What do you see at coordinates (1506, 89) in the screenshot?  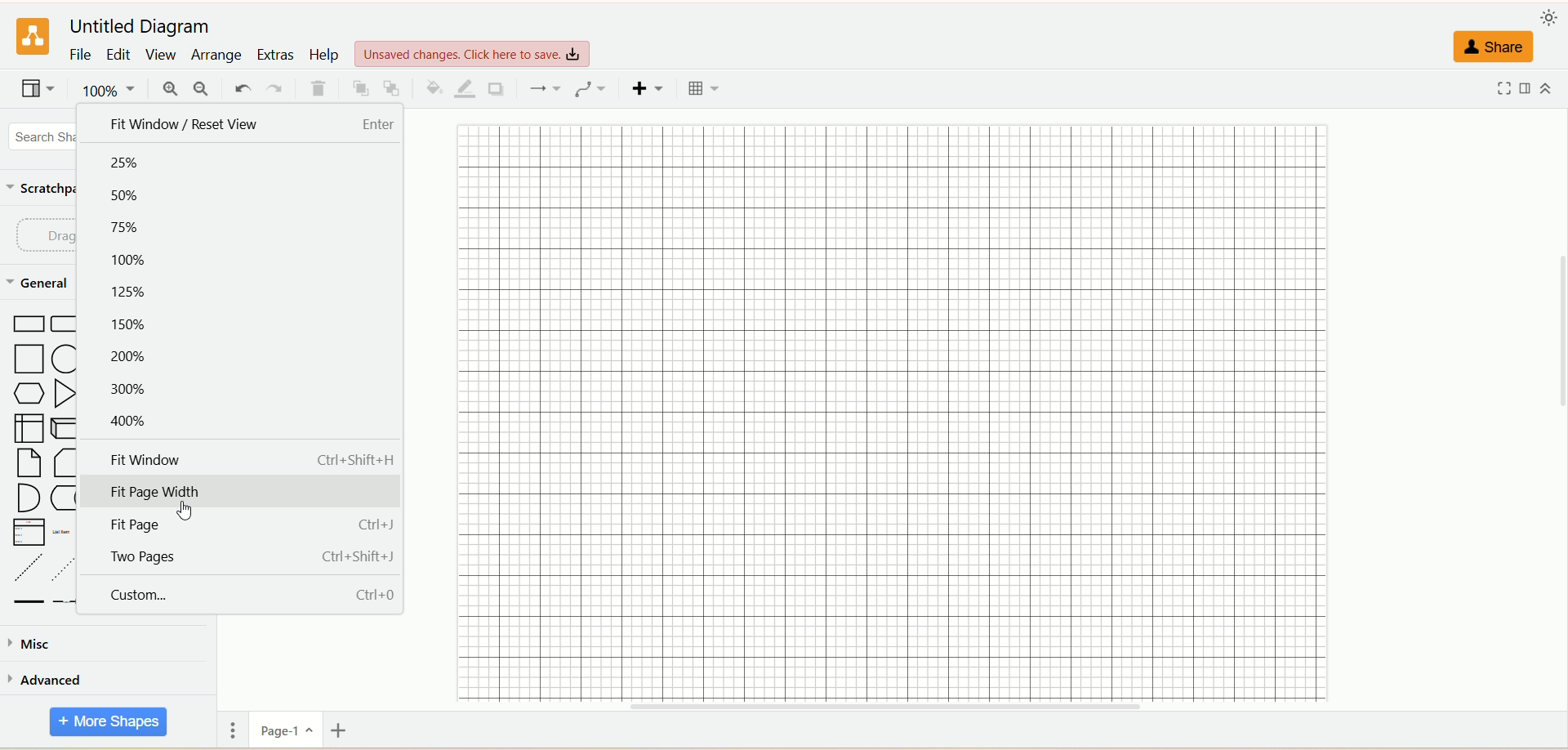 I see `fullscreen` at bounding box center [1506, 89].